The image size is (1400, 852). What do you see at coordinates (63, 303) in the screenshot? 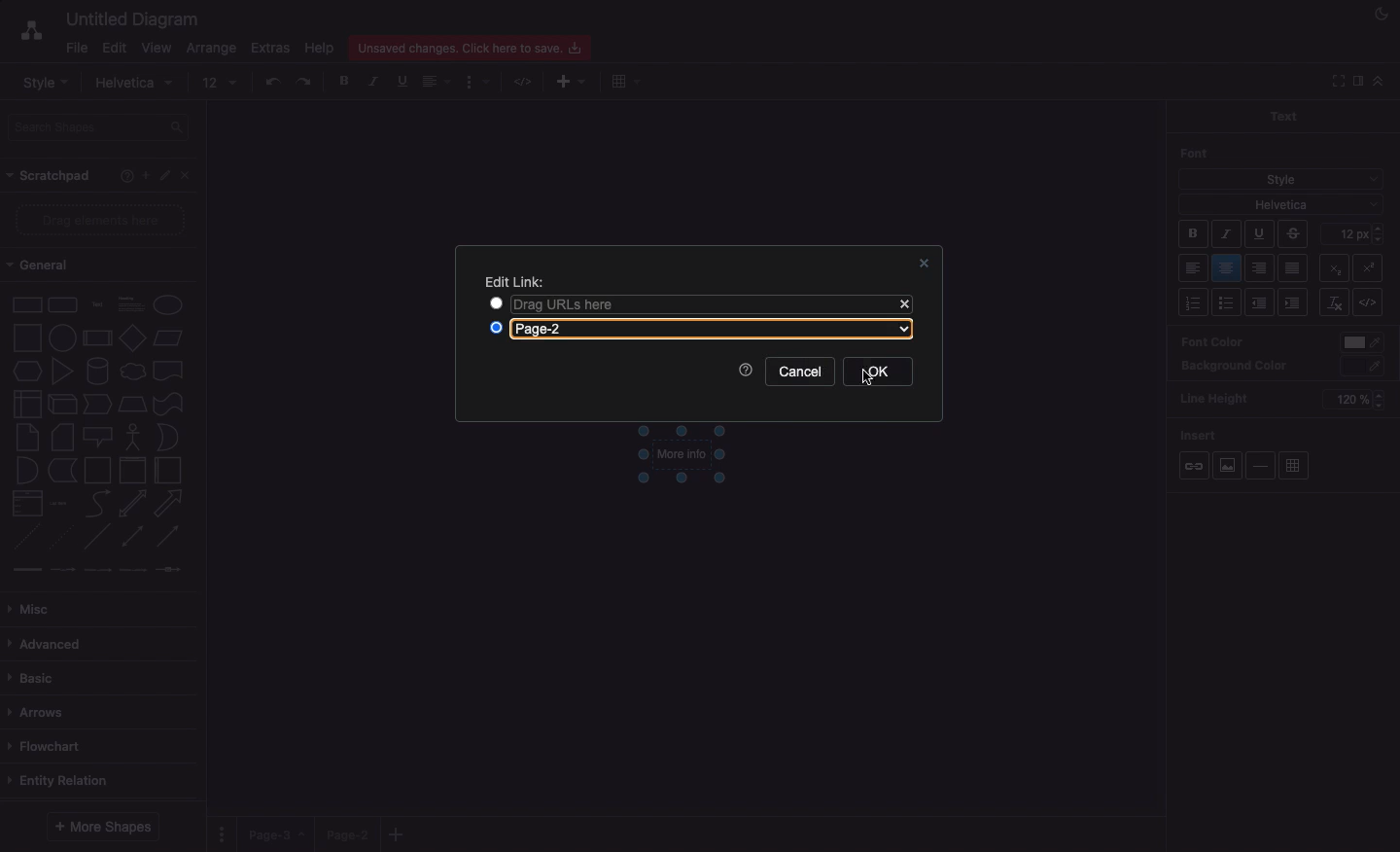
I see `rounded rectangle` at bounding box center [63, 303].